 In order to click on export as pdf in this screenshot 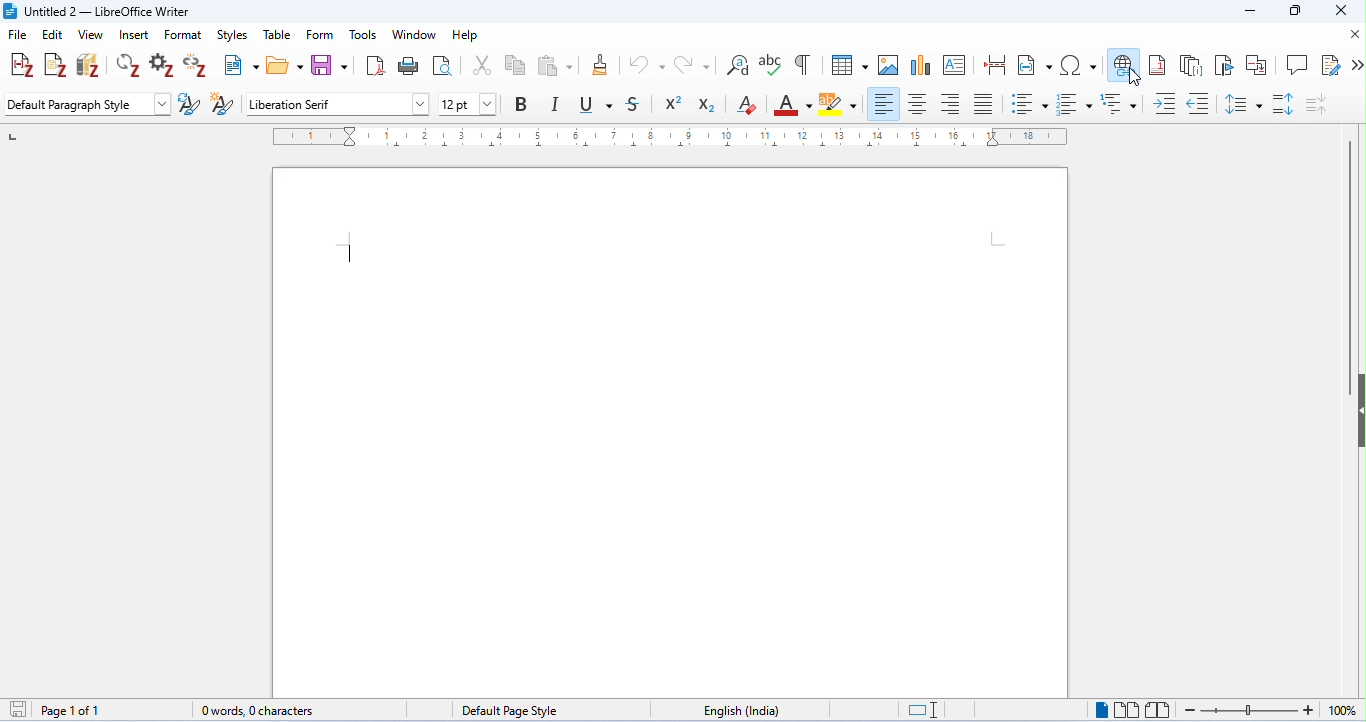, I will do `click(373, 66)`.